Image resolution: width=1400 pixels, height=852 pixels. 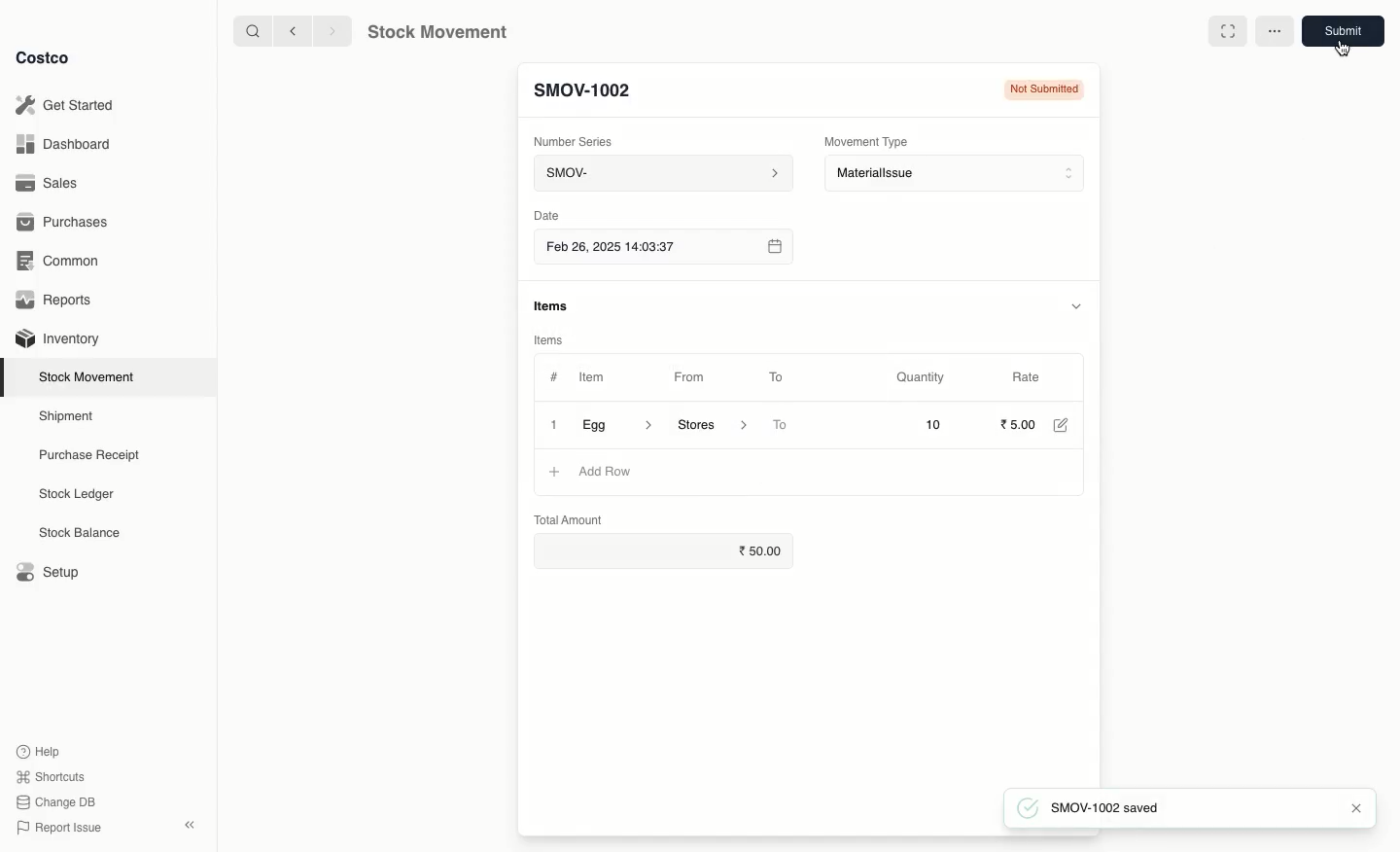 What do you see at coordinates (552, 426) in the screenshot?
I see `Close` at bounding box center [552, 426].